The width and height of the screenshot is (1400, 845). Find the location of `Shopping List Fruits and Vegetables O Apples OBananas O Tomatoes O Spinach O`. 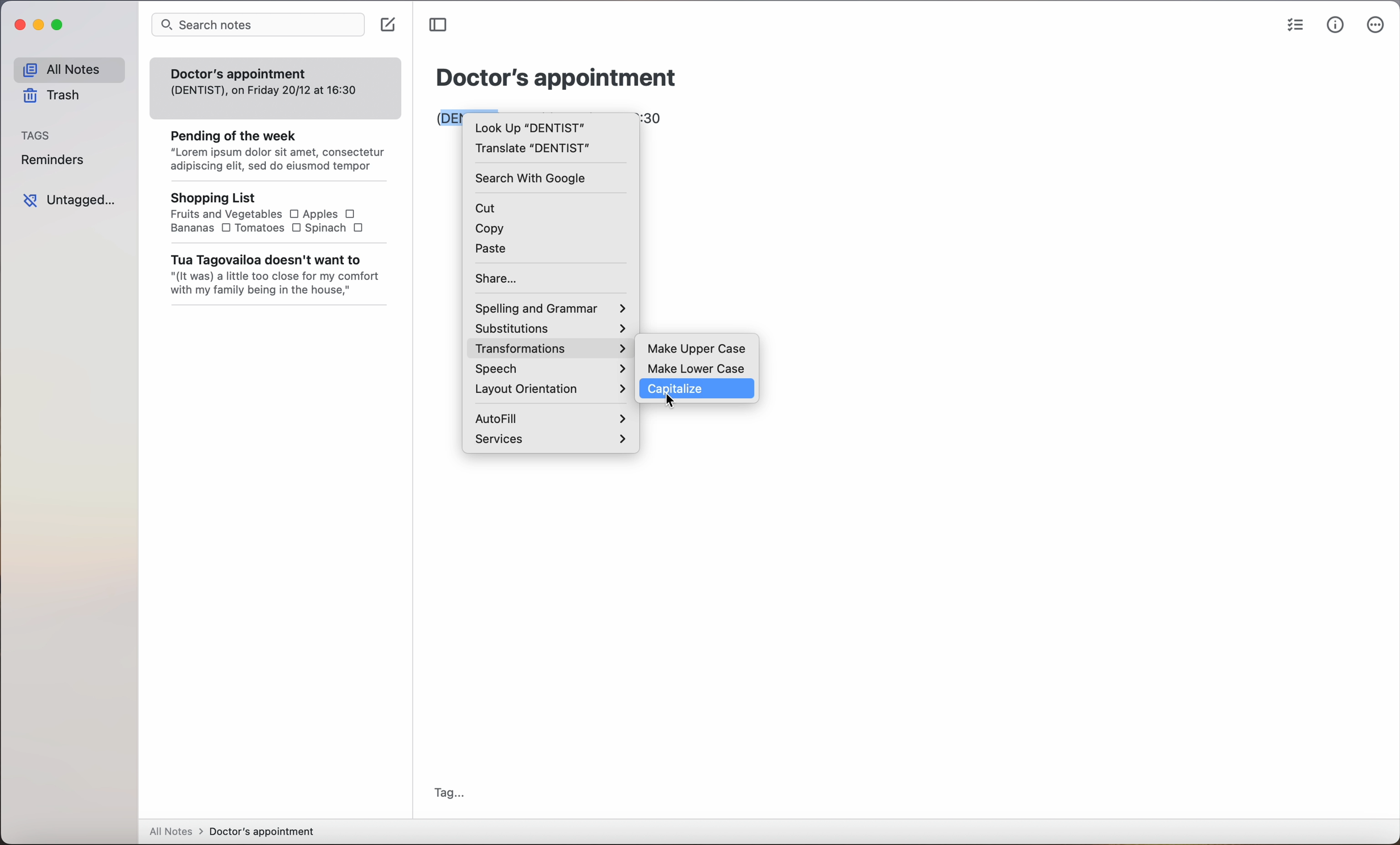

Shopping List Fruits and Vegetables O Apples OBananas O Tomatoes O Spinach O is located at coordinates (261, 212).